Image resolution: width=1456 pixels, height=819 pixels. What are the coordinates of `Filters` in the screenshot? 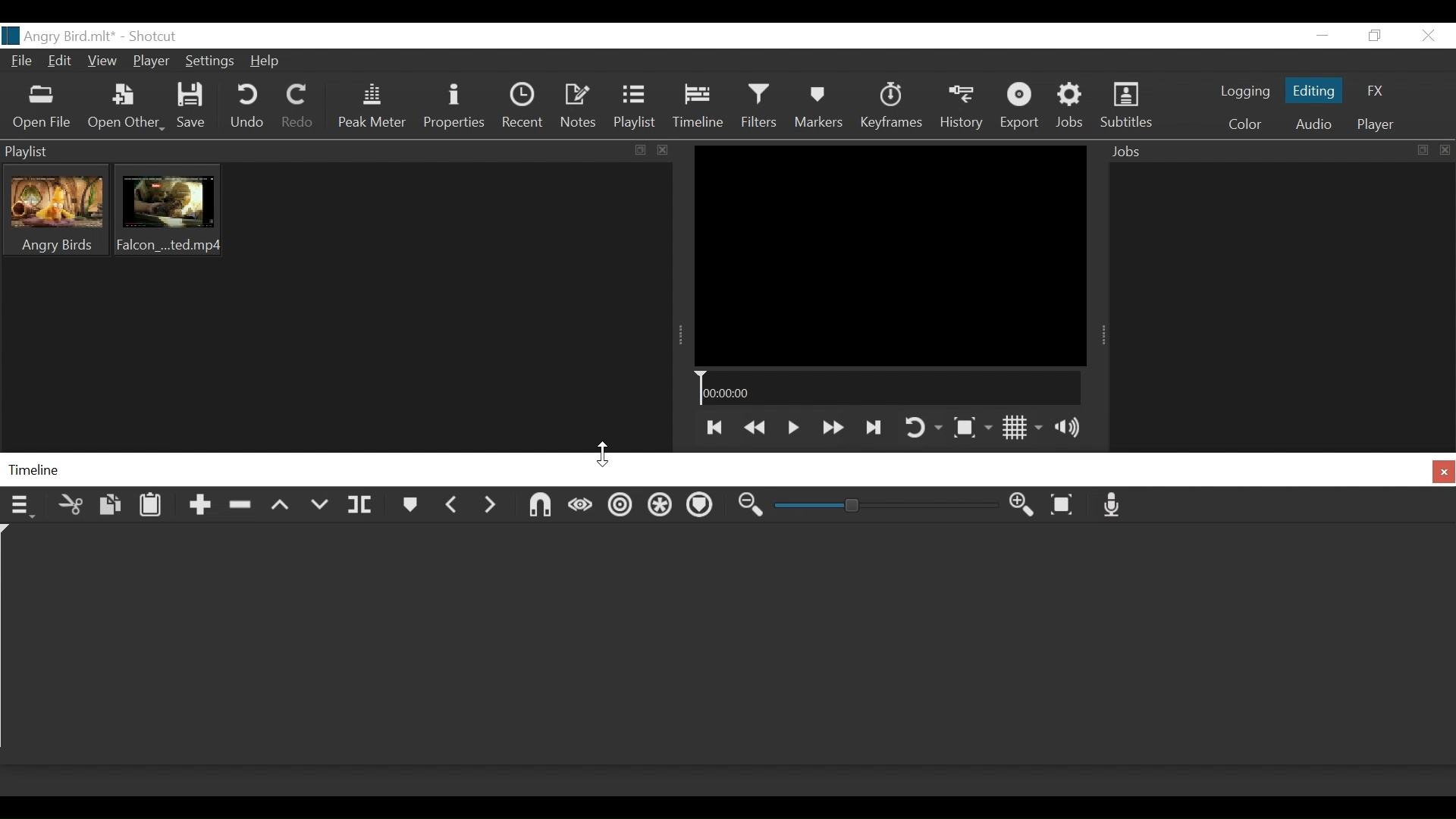 It's located at (764, 108).